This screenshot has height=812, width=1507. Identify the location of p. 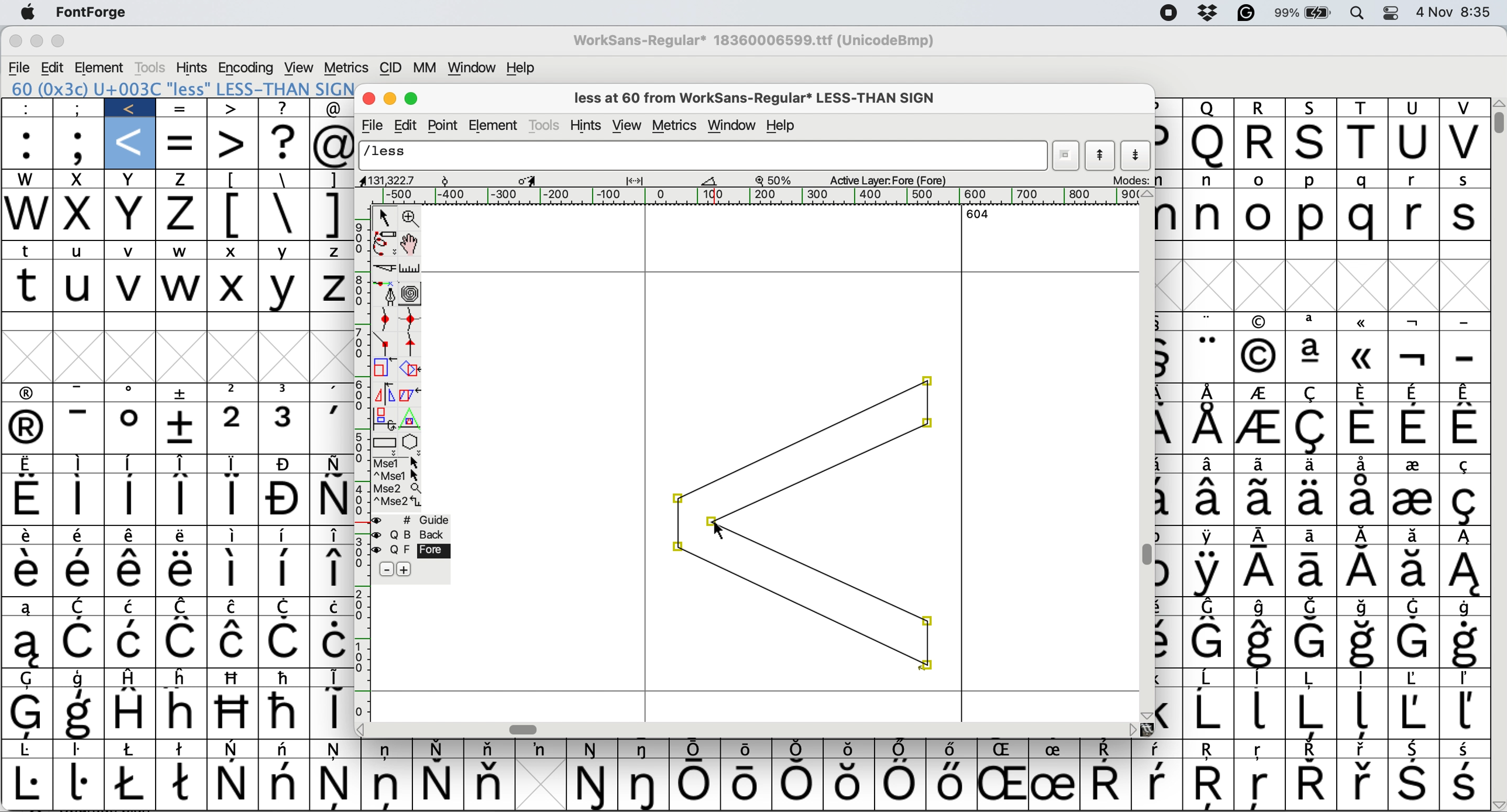
(1167, 106).